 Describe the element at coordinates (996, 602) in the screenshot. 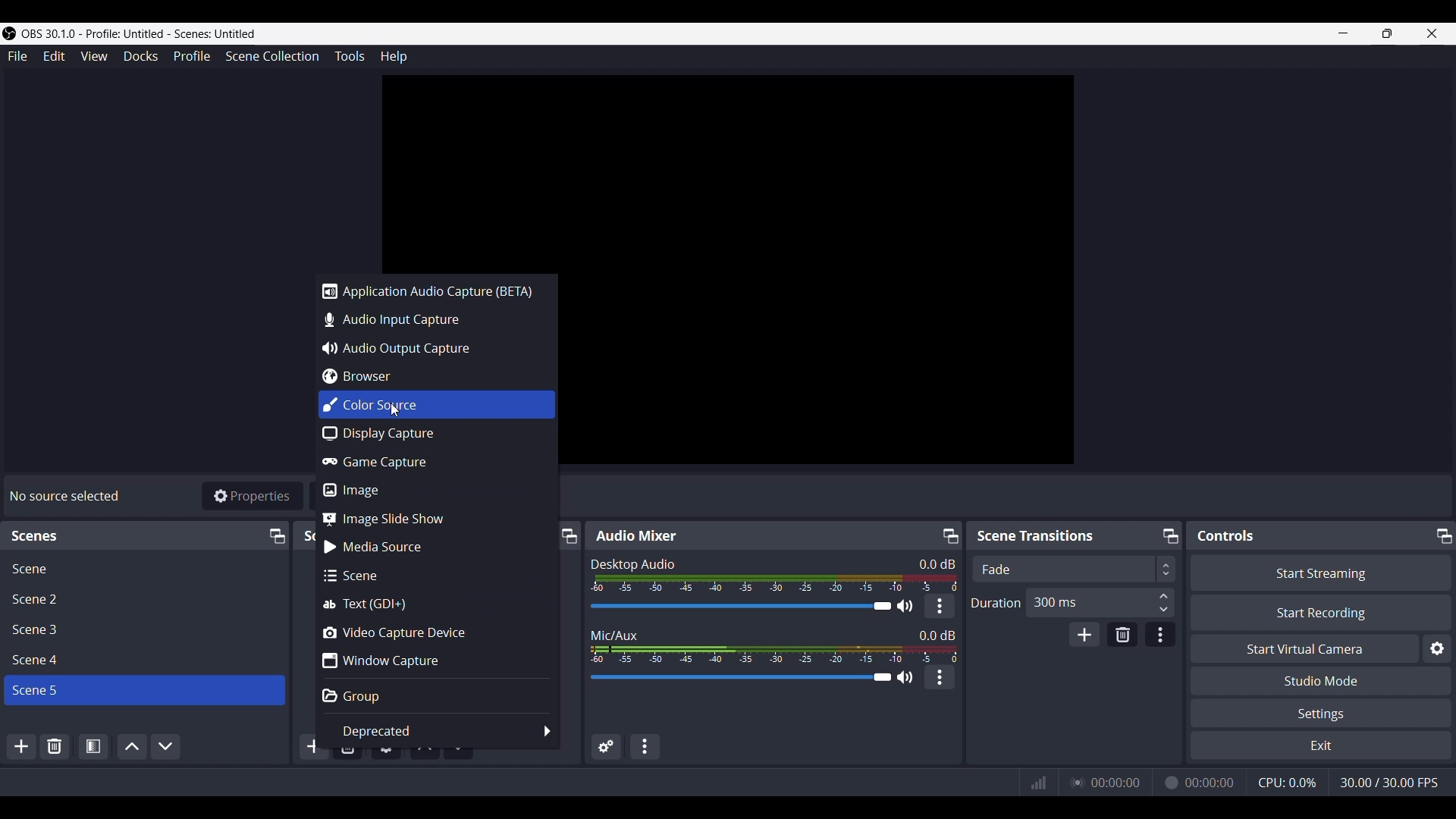

I see `Duration Adjuster` at that location.